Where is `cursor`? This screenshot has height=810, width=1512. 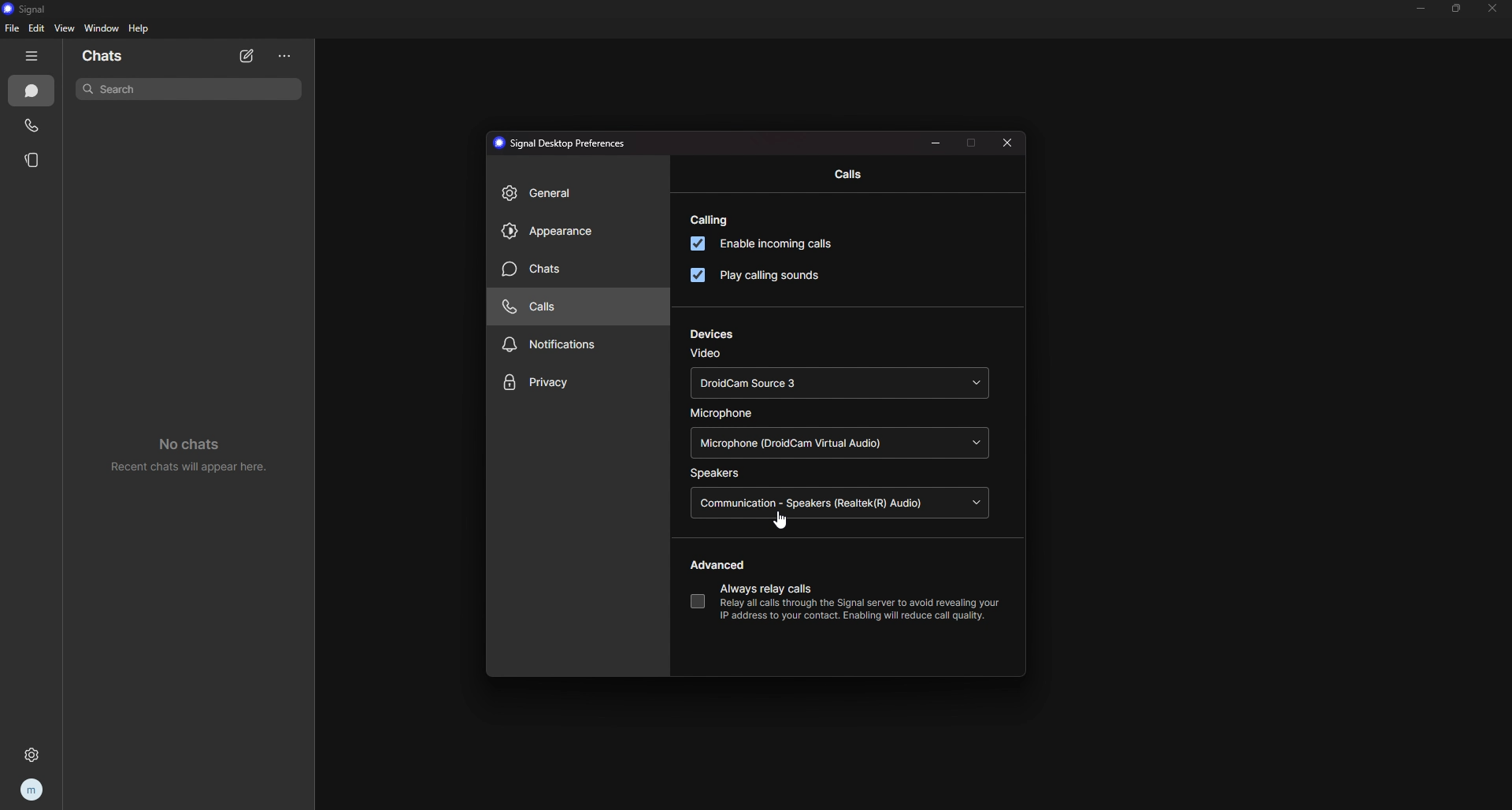 cursor is located at coordinates (781, 520).